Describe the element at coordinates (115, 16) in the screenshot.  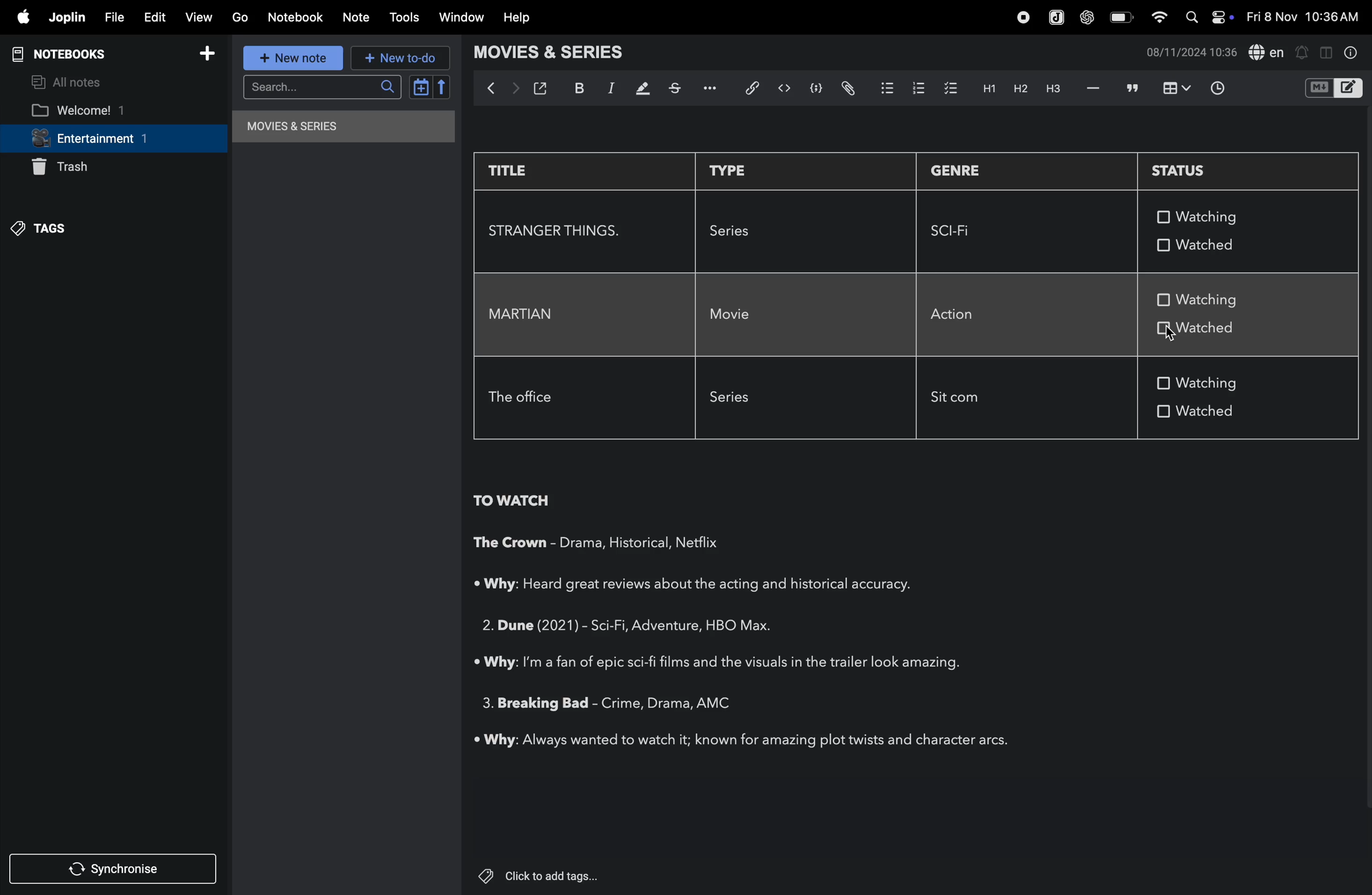
I see `file` at that location.